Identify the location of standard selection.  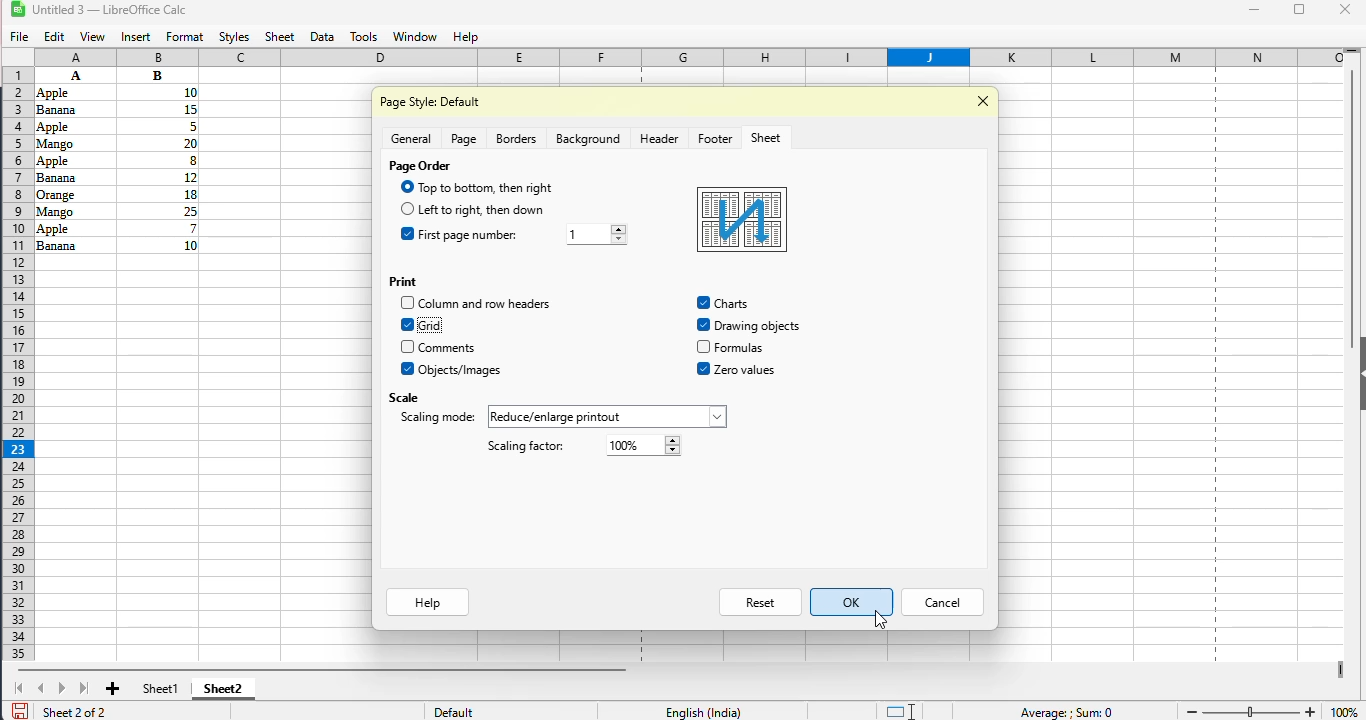
(899, 710).